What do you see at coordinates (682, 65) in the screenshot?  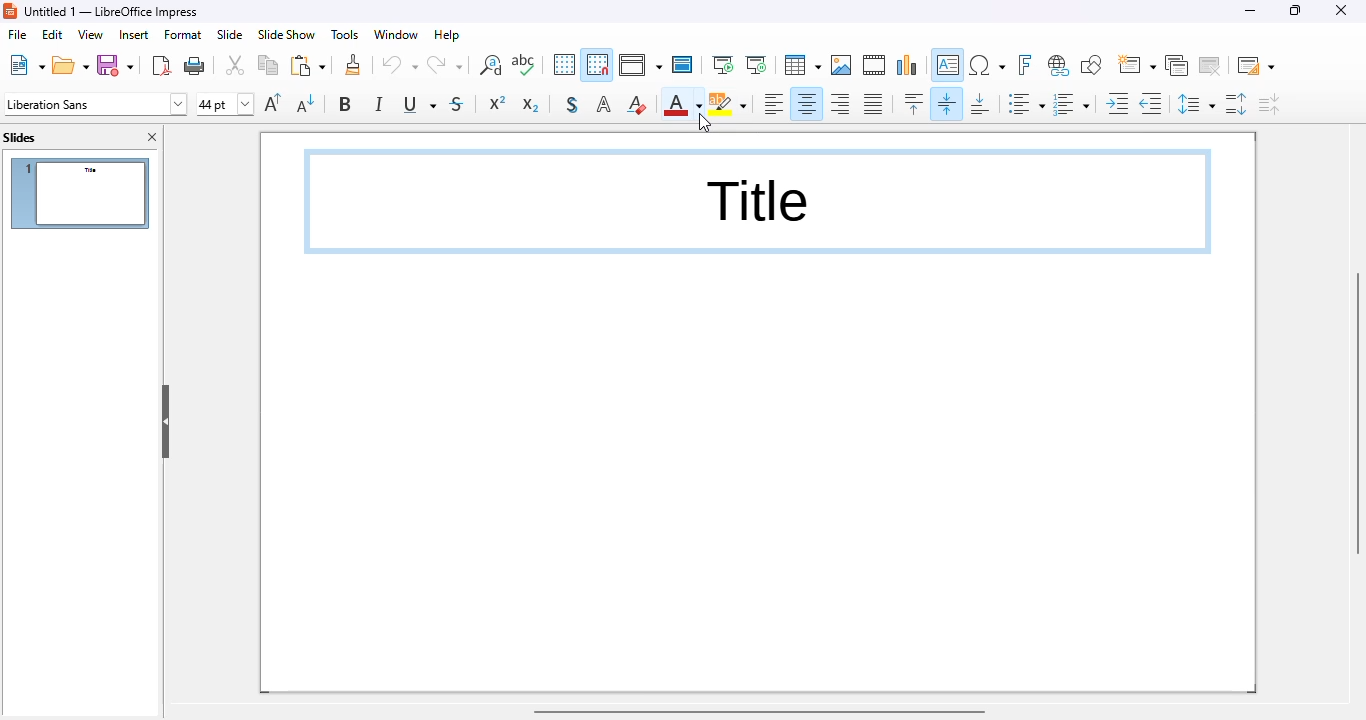 I see `master slide` at bounding box center [682, 65].